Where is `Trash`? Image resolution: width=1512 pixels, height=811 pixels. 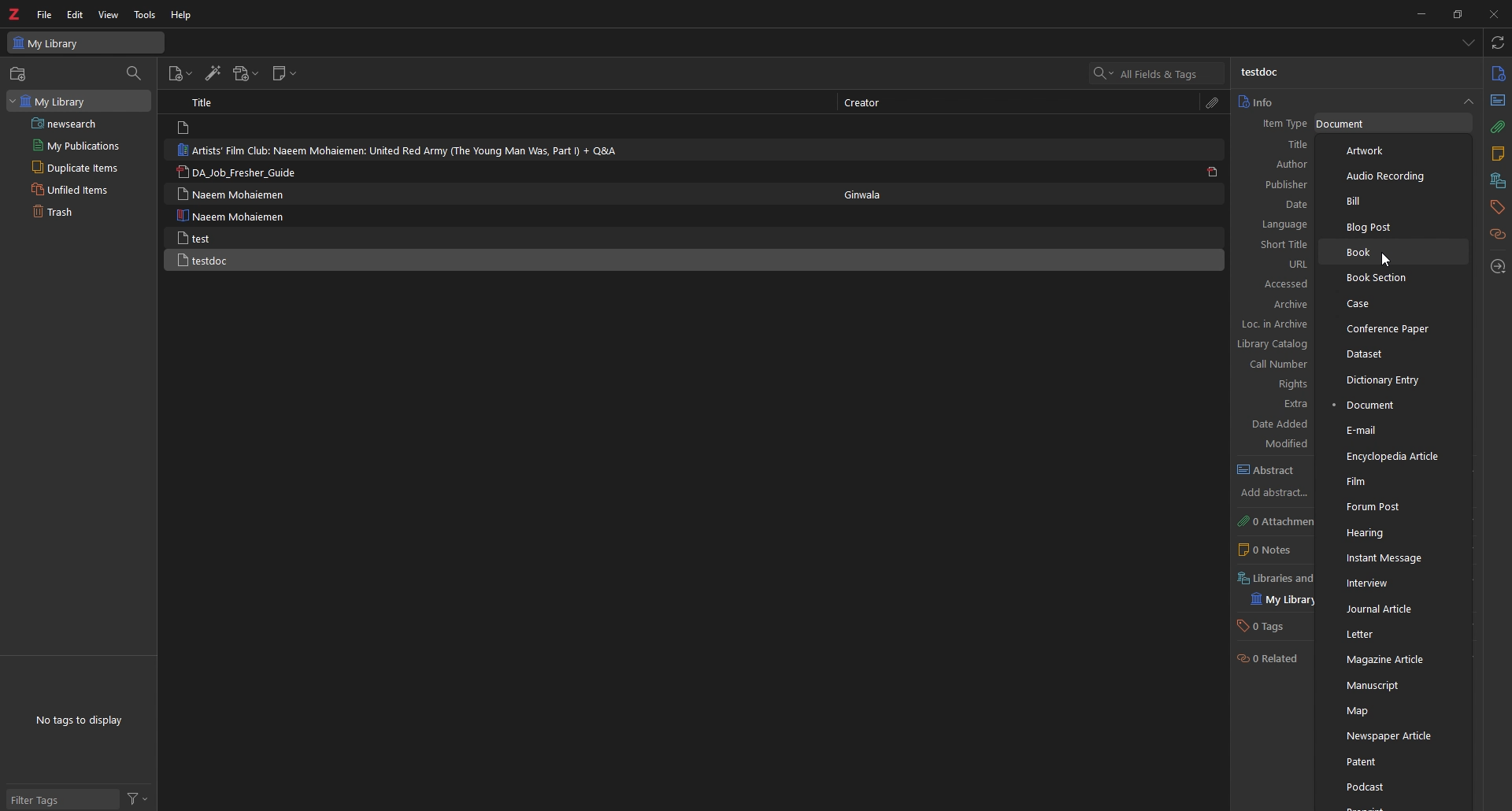 Trash is located at coordinates (77, 212).